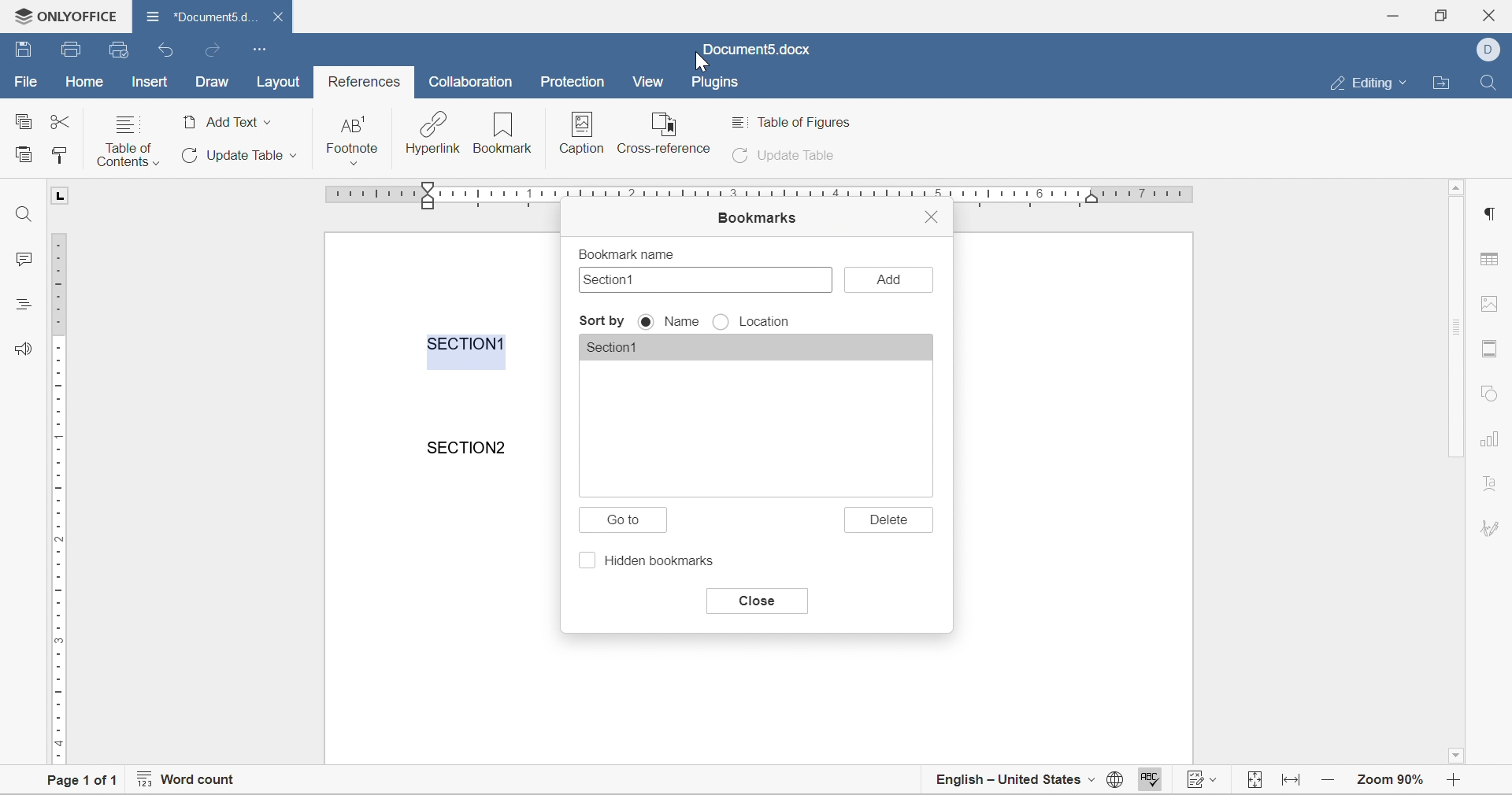  Describe the element at coordinates (649, 81) in the screenshot. I see `view` at that location.